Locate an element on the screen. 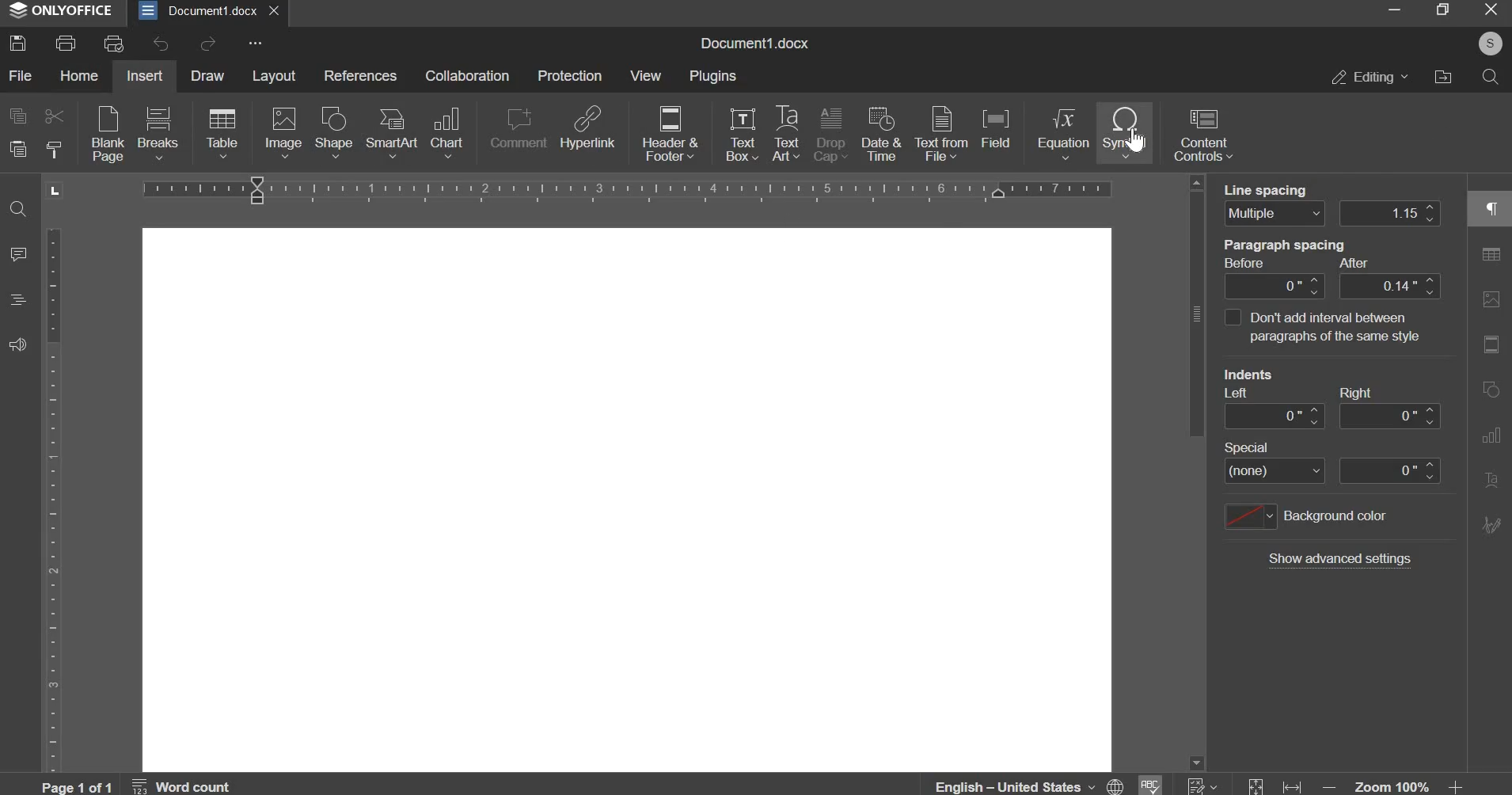 The height and width of the screenshot is (795, 1512). show additional settings is located at coordinates (1339, 559).